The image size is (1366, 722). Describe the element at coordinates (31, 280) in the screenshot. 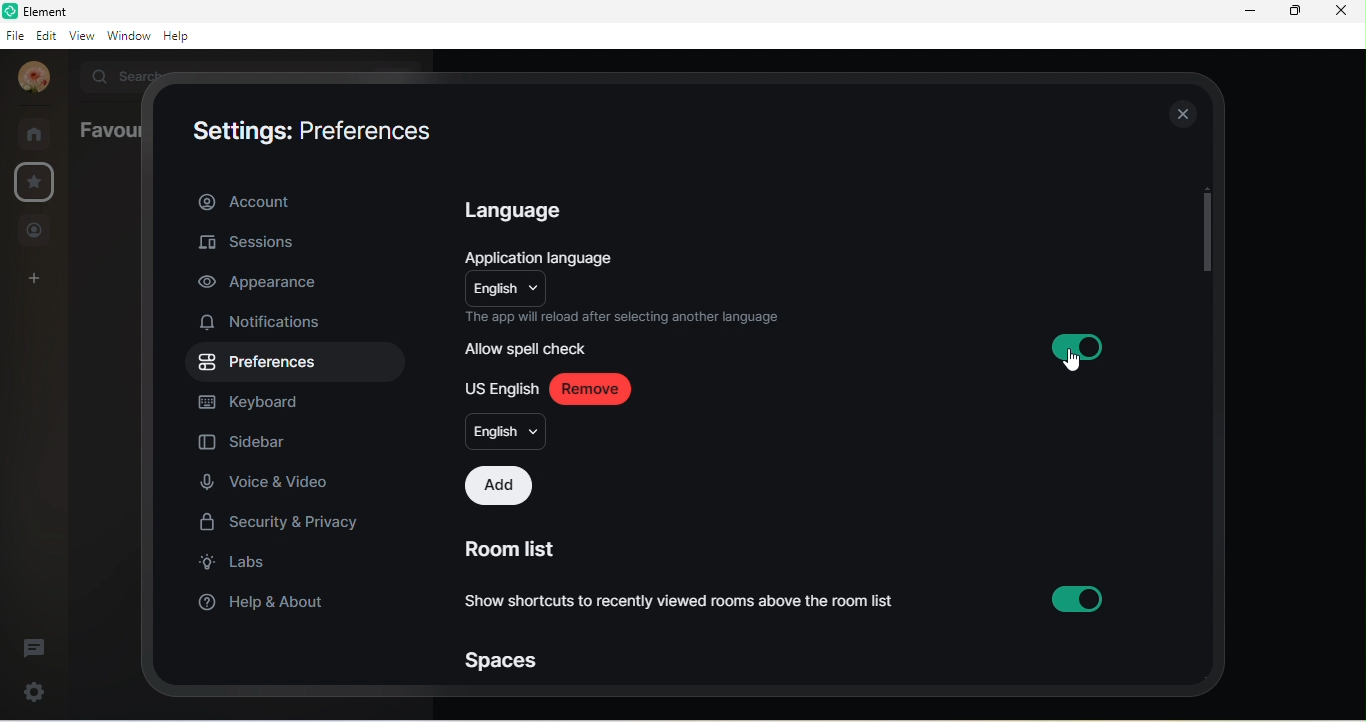

I see `create a space` at that location.